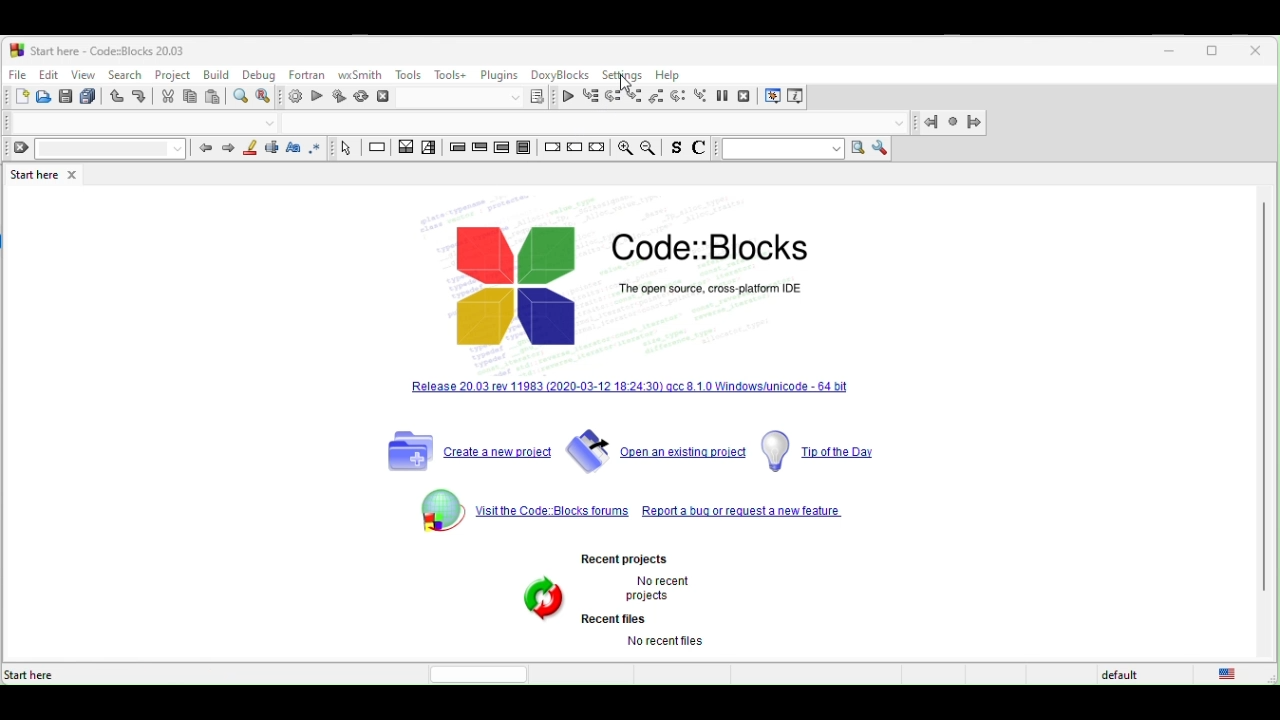  Describe the element at coordinates (827, 448) in the screenshot. I see `tip of the day` at that location.